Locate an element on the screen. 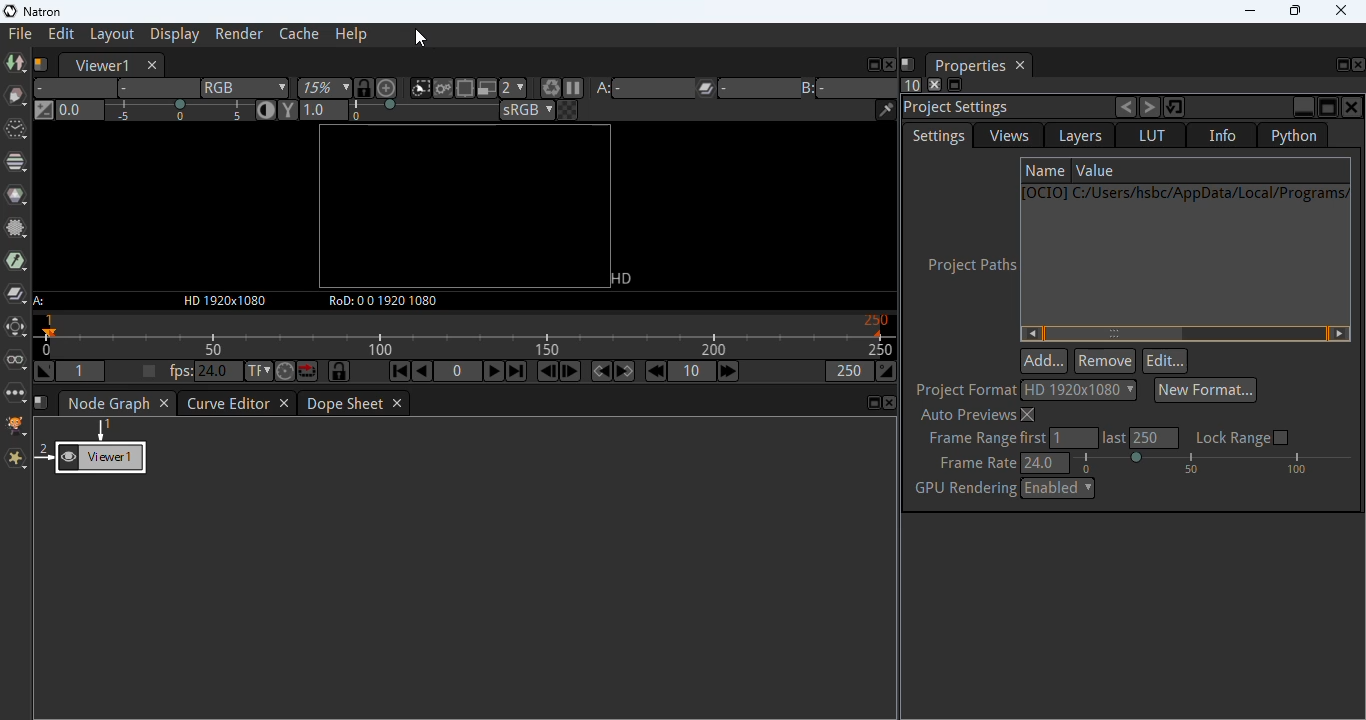 This screenshot has width=1366, height=720. name is located at coordinates (1045, 171).